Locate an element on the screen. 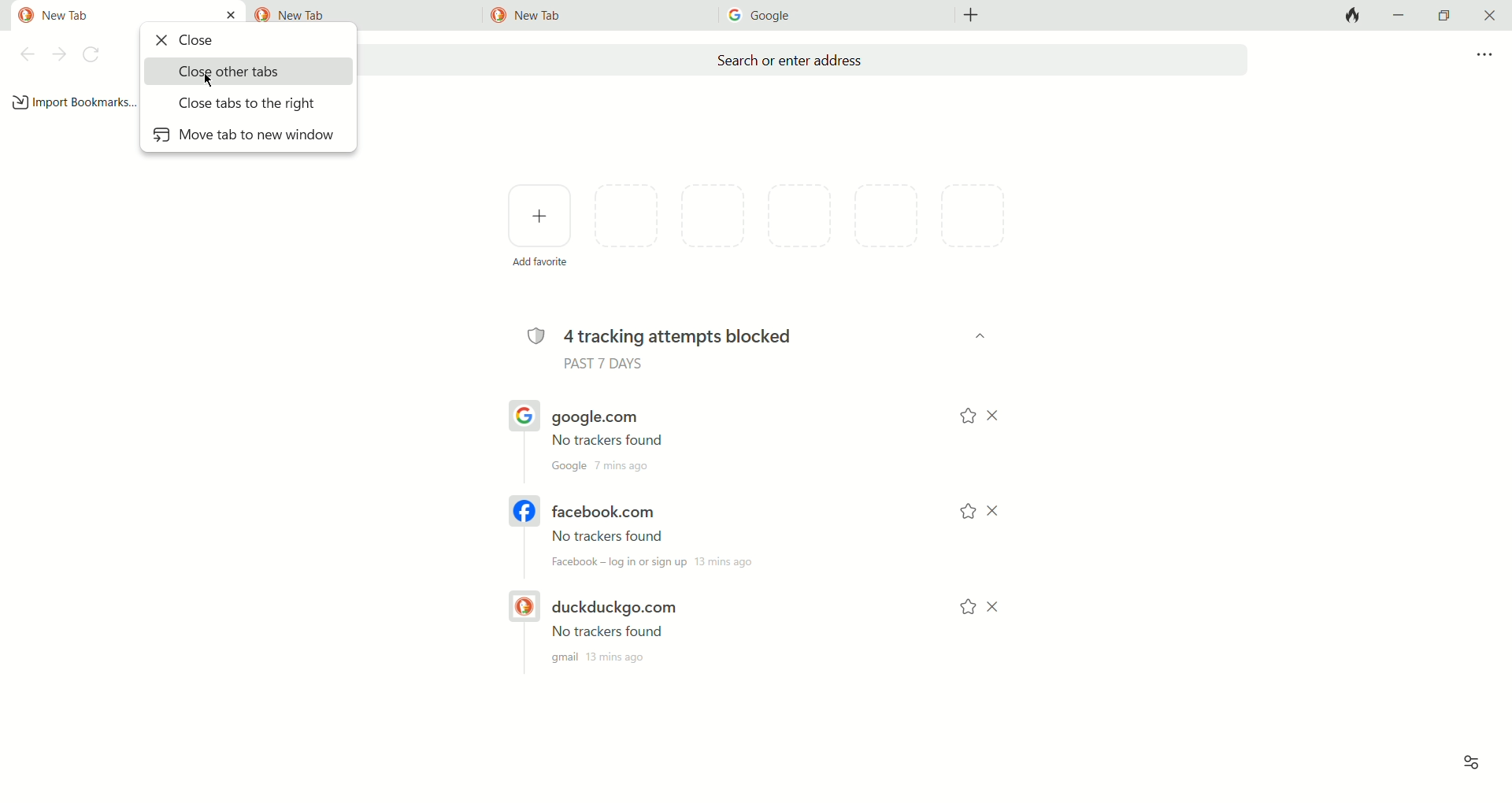  add to favorite is located at coordinates (958, 610).